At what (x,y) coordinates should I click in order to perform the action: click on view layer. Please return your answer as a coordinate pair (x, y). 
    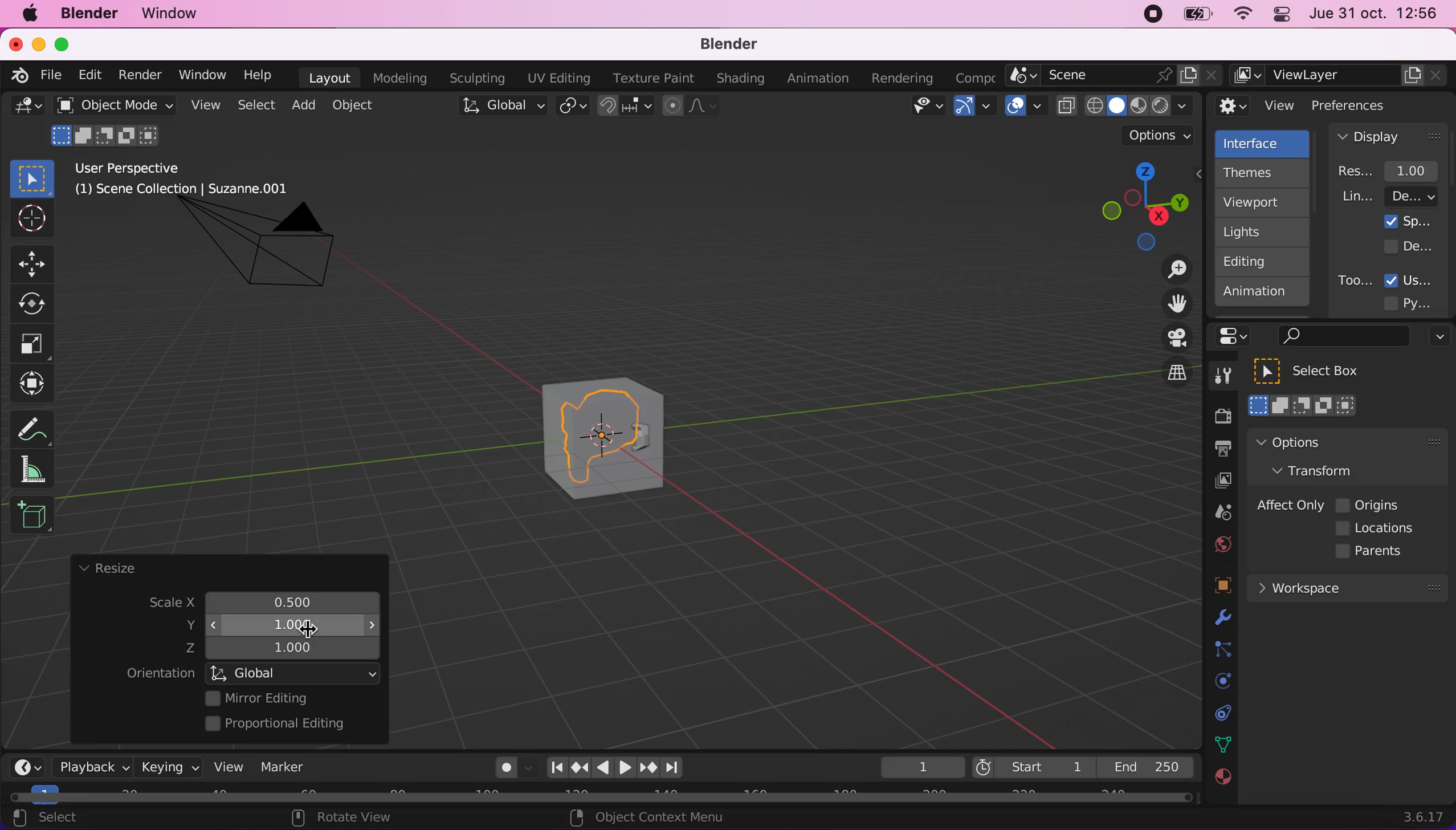
    Looking at the image, I should click on (1217, 482).